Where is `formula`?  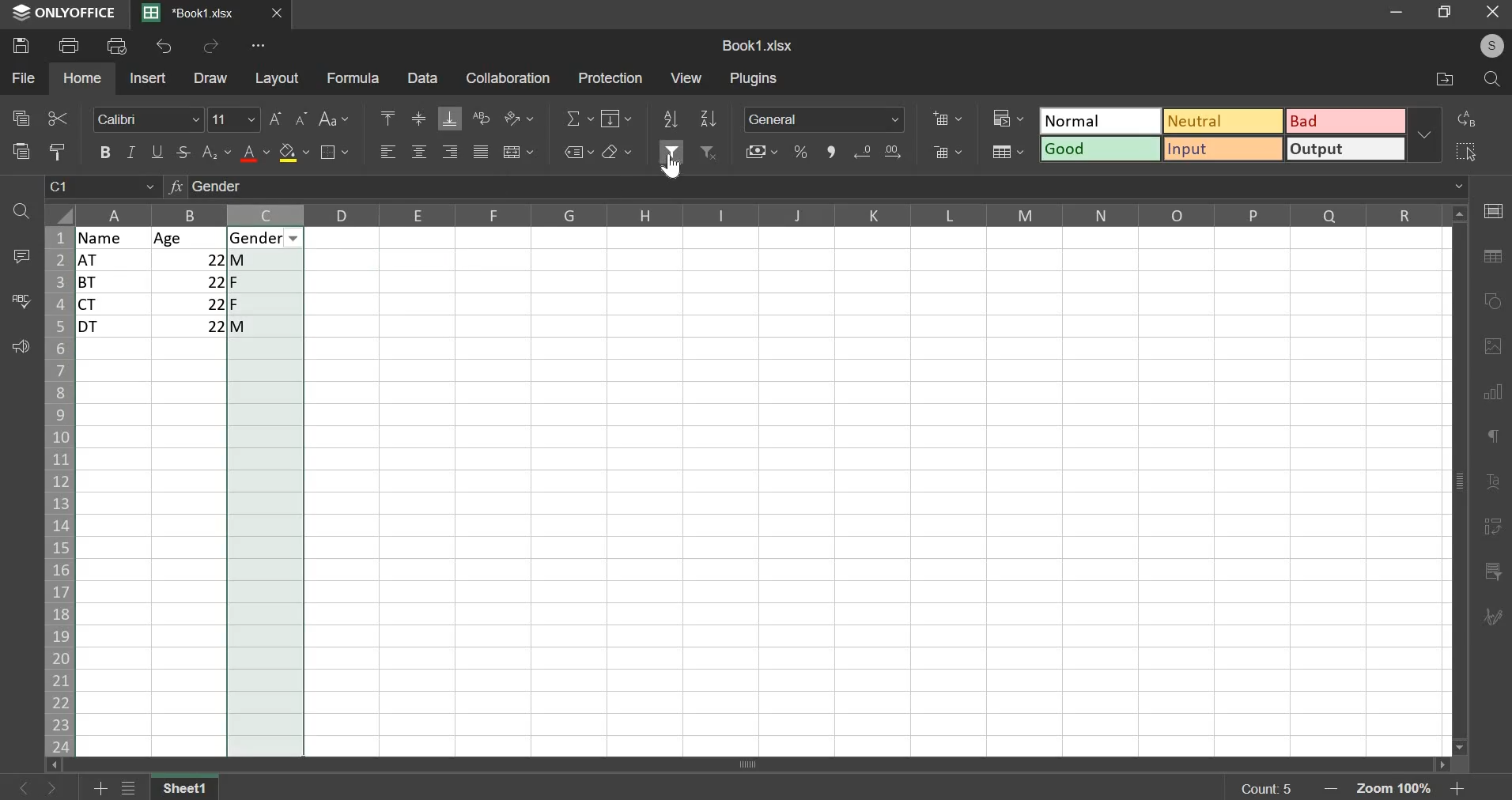
formula is located at coordinates (352, 77).